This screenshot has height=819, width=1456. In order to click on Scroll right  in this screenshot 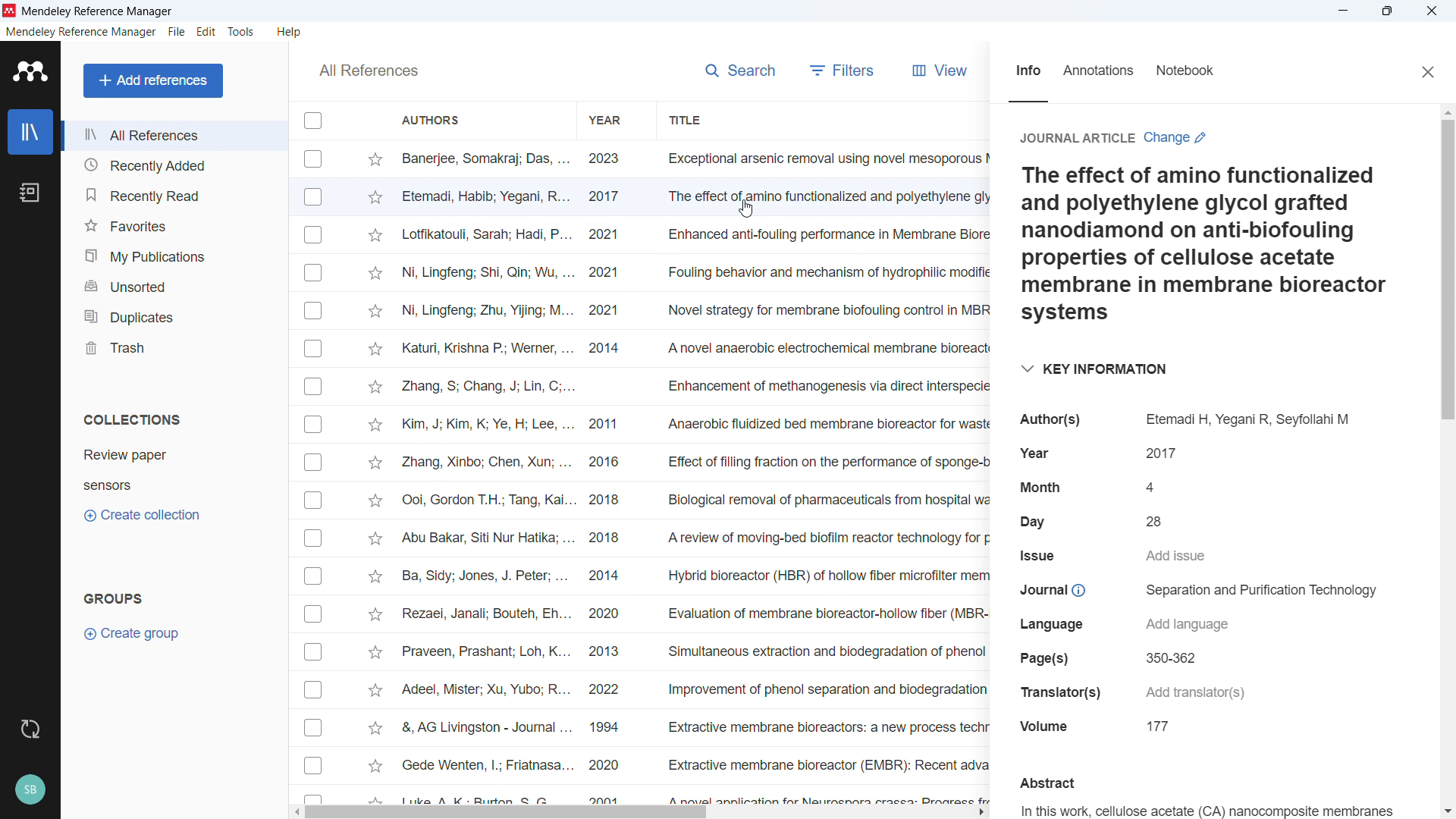, I will do `click(982, 811)`.